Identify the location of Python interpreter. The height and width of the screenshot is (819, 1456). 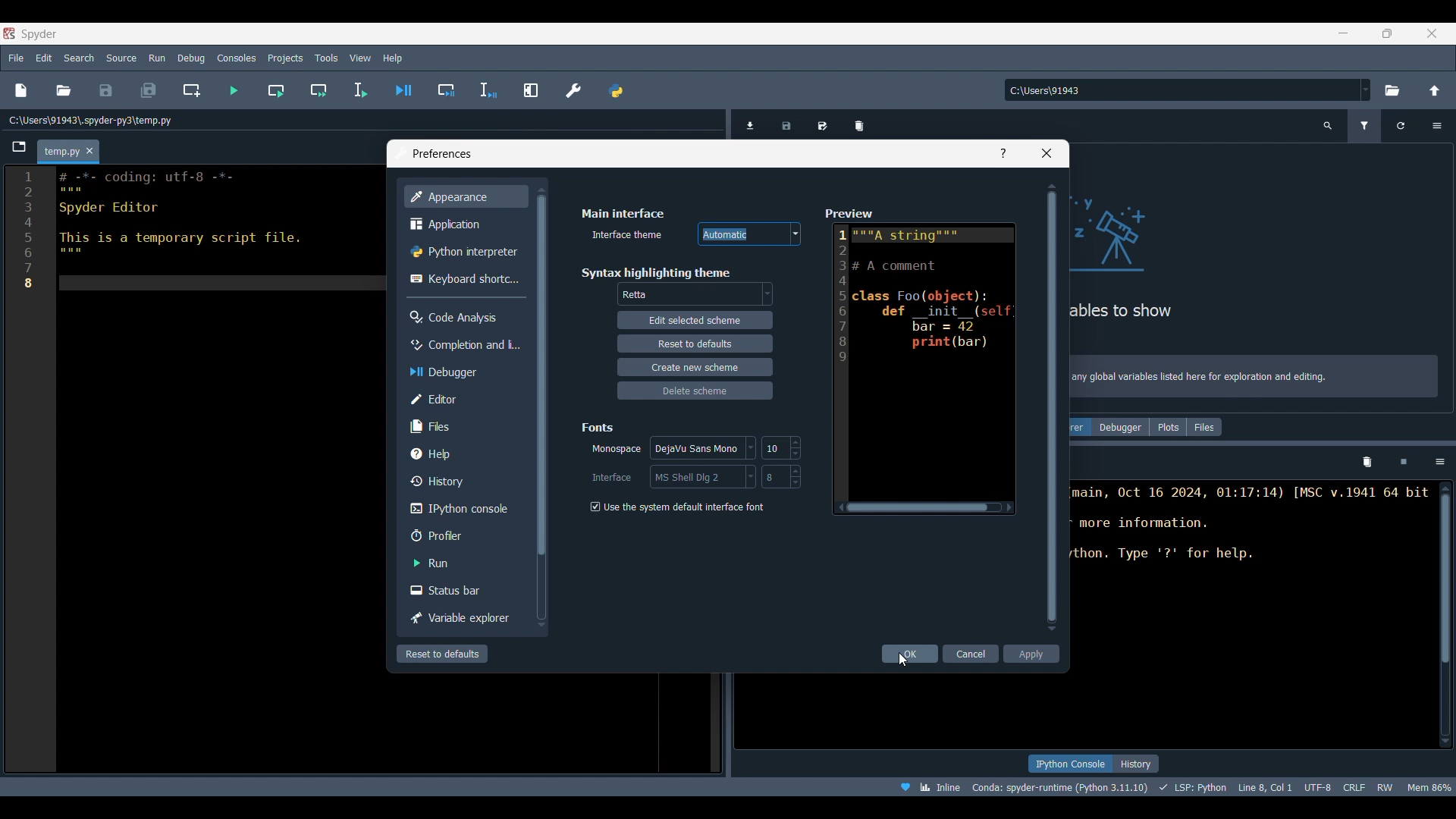
(465, 252).